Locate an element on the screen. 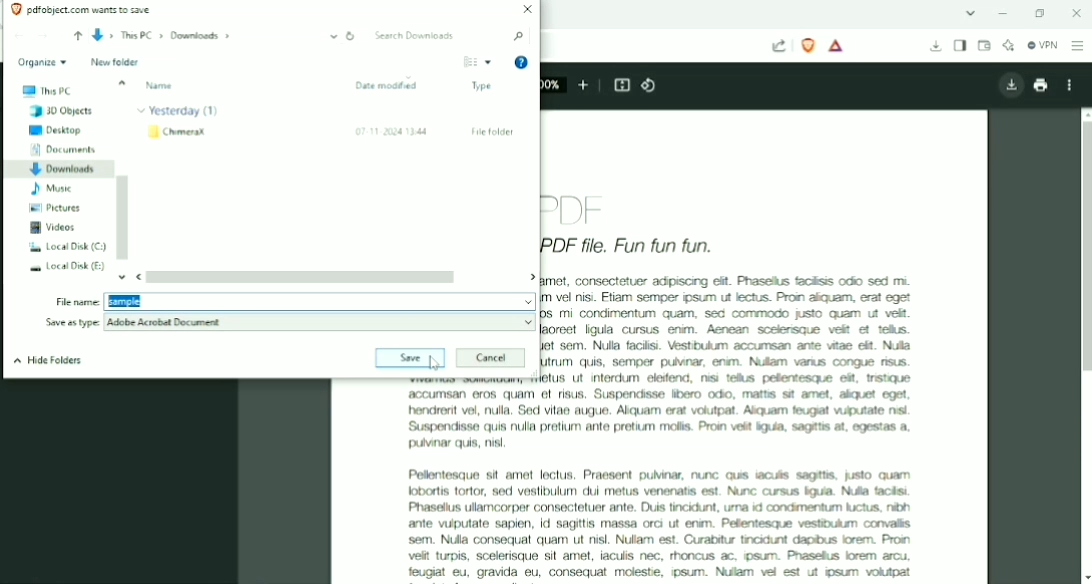 This screenshot has height=584, width=1092. up is located at coordinates (122, 82).